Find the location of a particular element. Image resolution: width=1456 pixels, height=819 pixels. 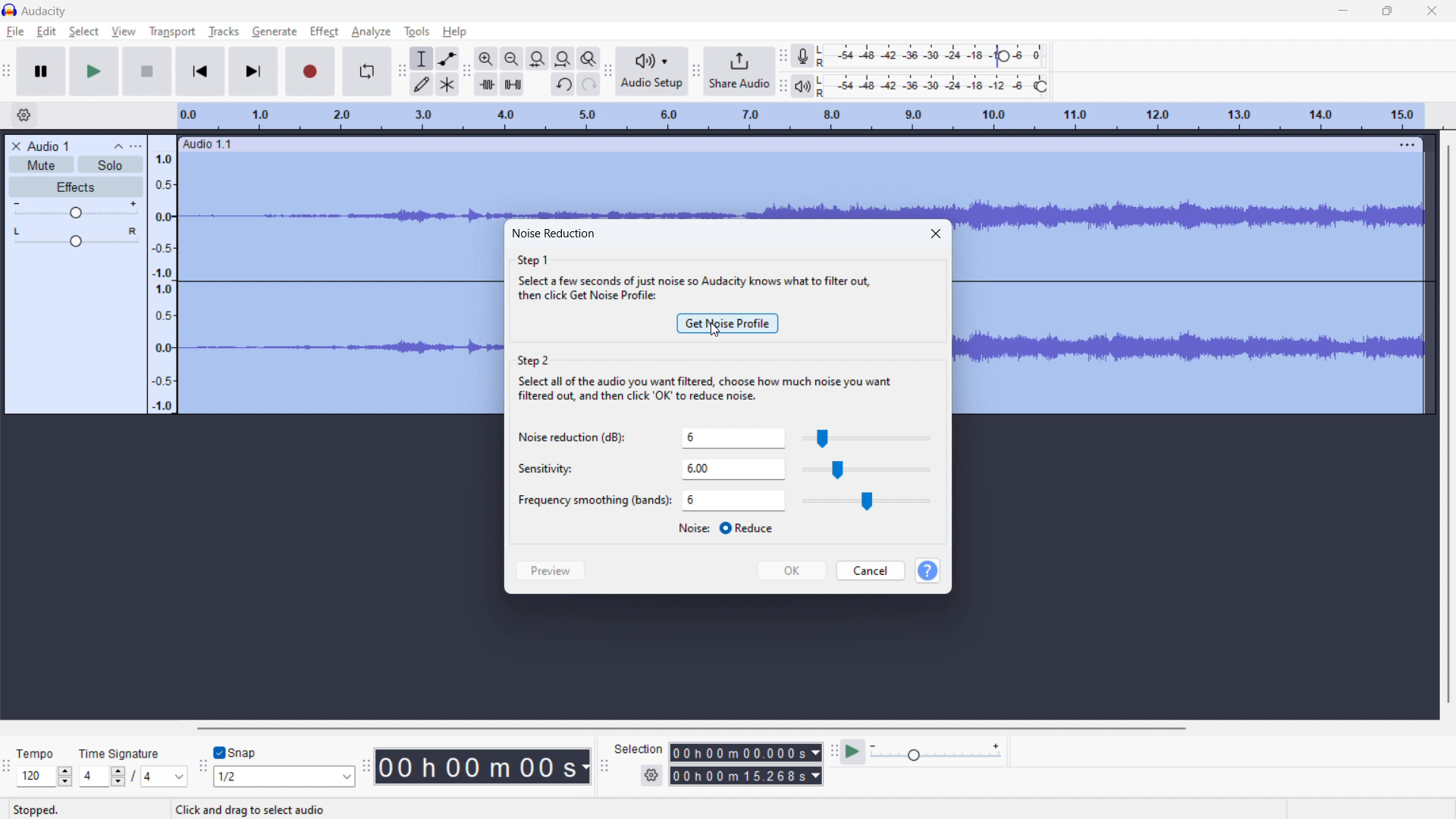

share audio is located at coordinates (739, 71).